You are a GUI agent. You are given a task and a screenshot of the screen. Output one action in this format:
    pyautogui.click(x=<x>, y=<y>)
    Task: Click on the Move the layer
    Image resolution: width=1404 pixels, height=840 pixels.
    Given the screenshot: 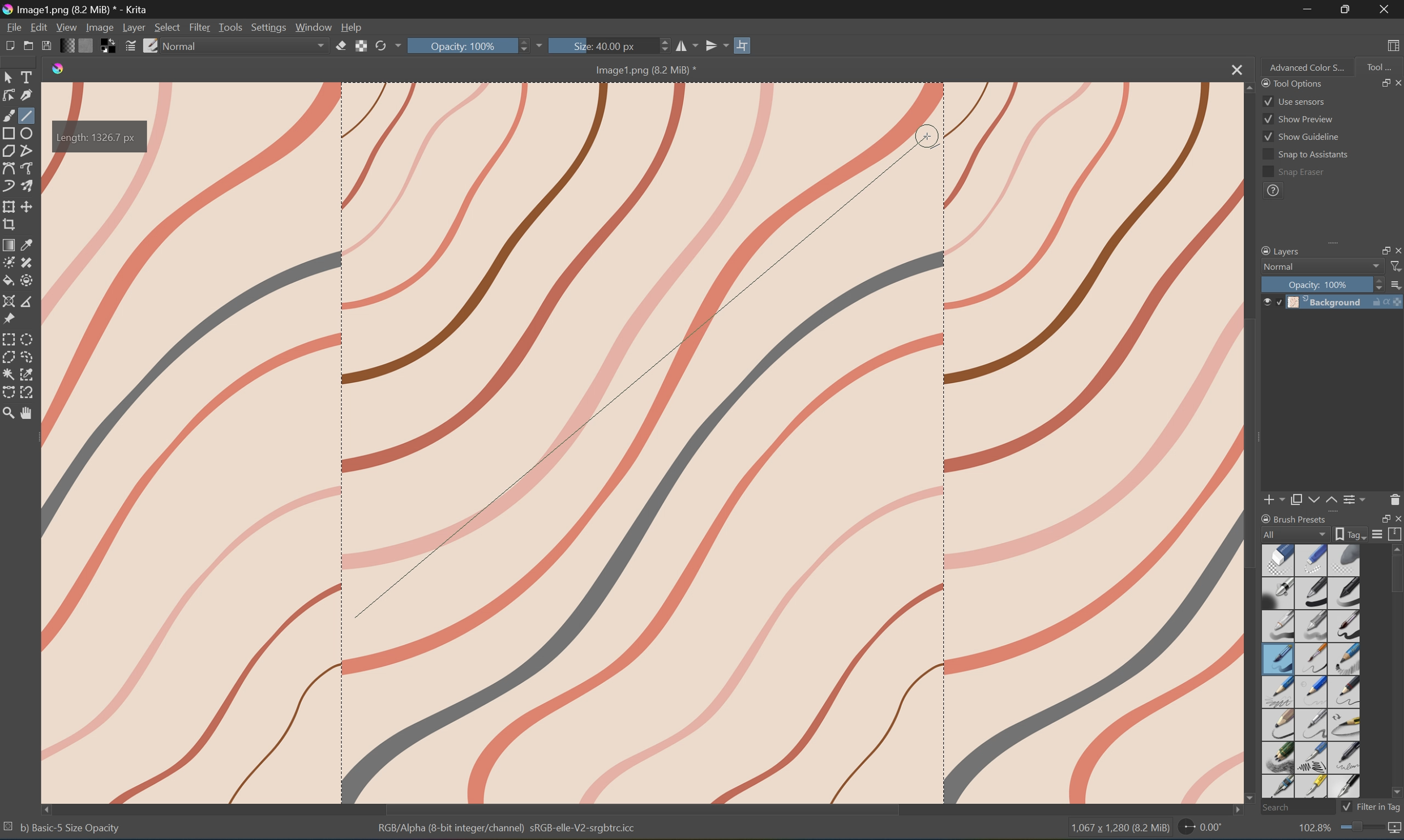 What is the action you would take?
    pyautogui.click(x=29, y=207)
    